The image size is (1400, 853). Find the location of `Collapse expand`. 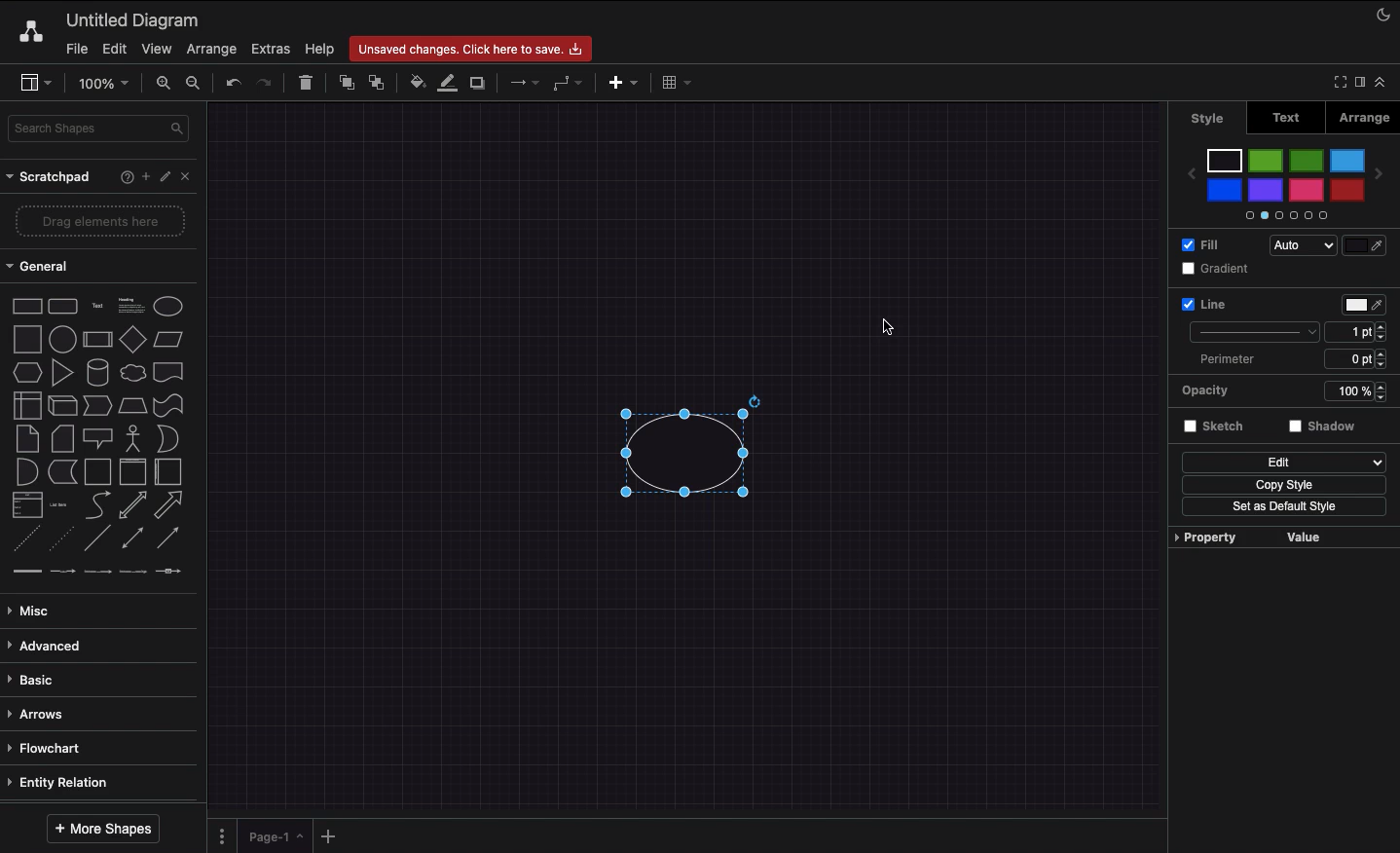

Collapse expand is located at coordinates (1385, 87).